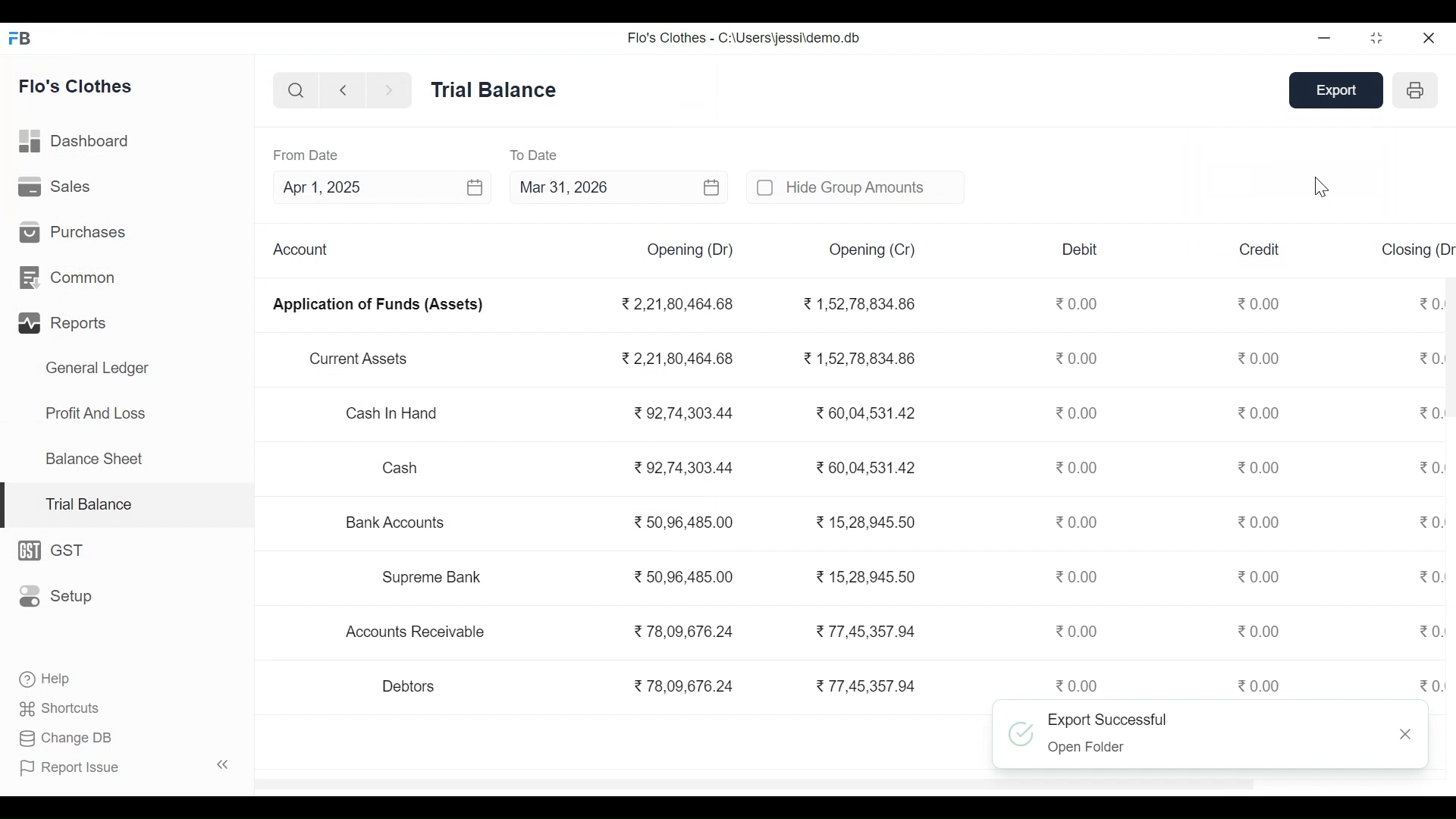  Describe the element at coordinates (397, 522) in the screenshot. I see `Bank Accounts` at that location.